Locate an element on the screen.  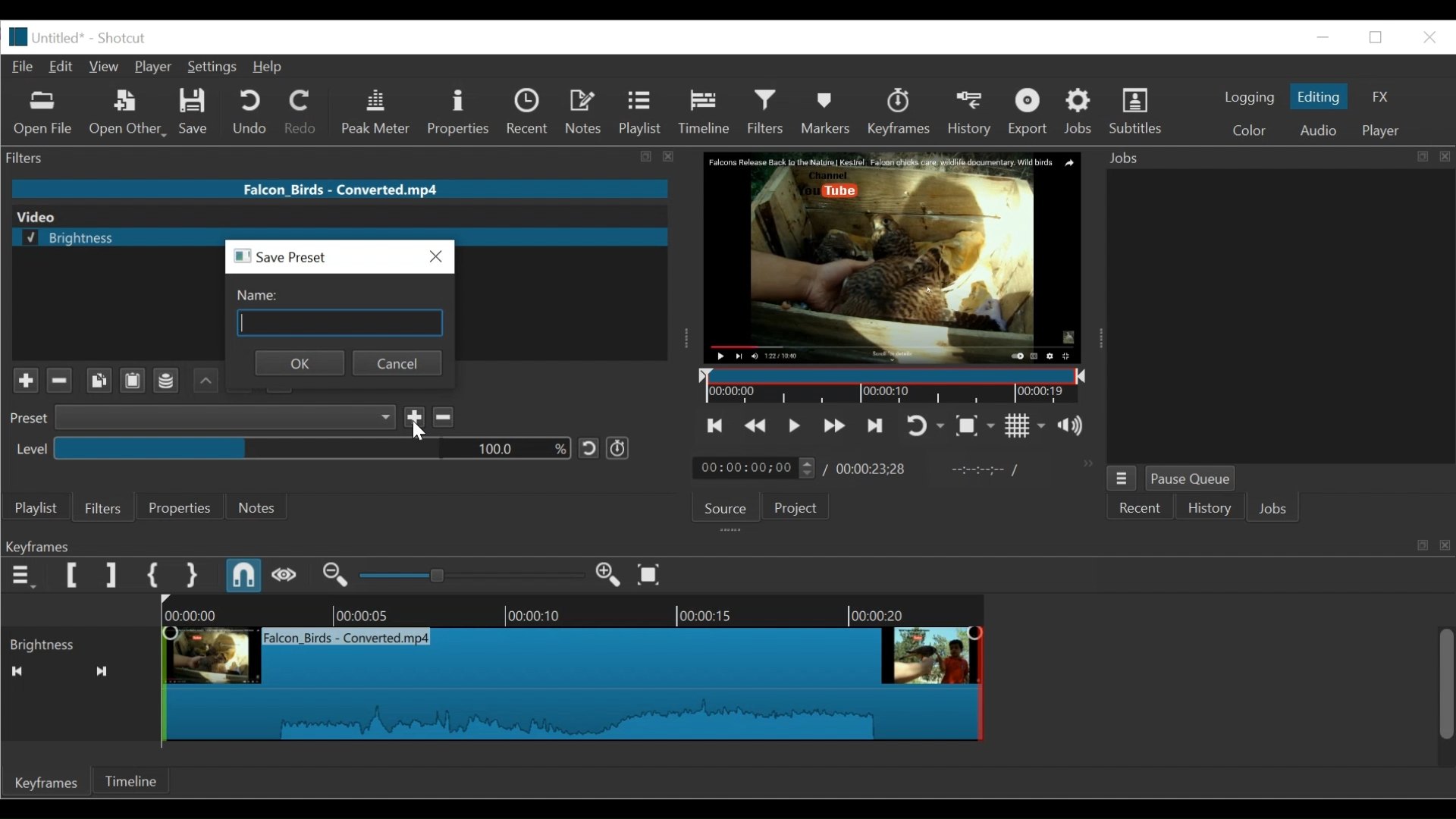
Seek forward is located at coordinates (102, 671).